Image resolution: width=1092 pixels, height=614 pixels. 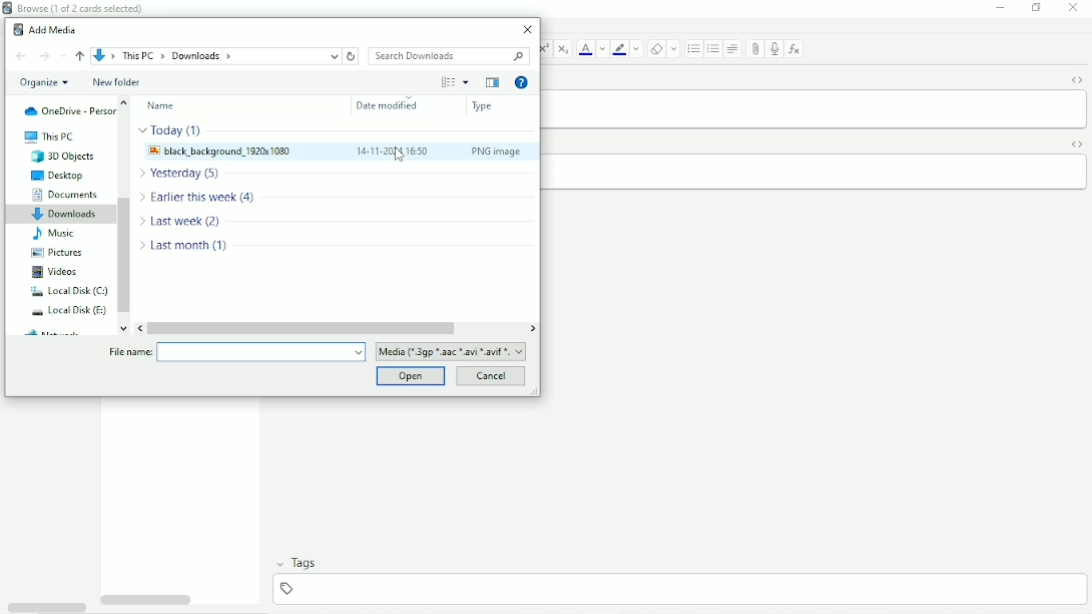 I want to click on file name, so click(x=126, y=352).